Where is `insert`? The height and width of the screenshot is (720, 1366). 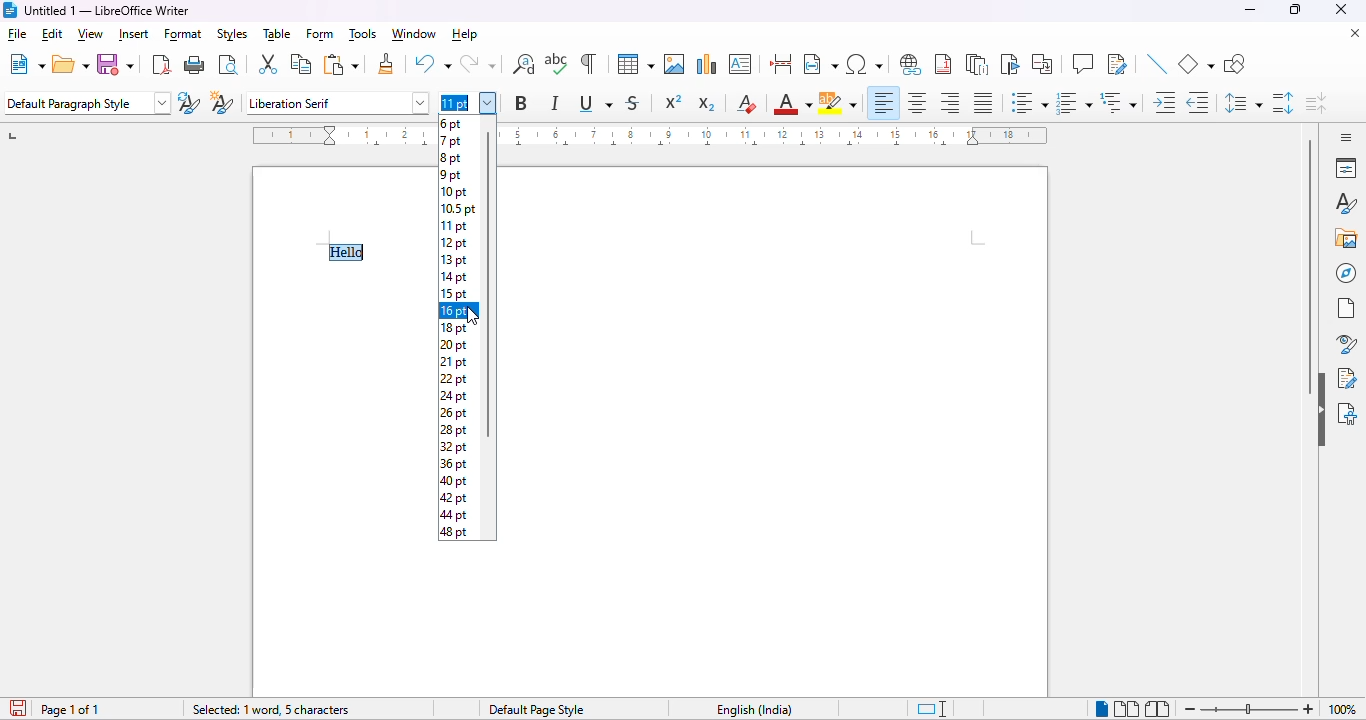 insert is located at coordinates (133, 35).